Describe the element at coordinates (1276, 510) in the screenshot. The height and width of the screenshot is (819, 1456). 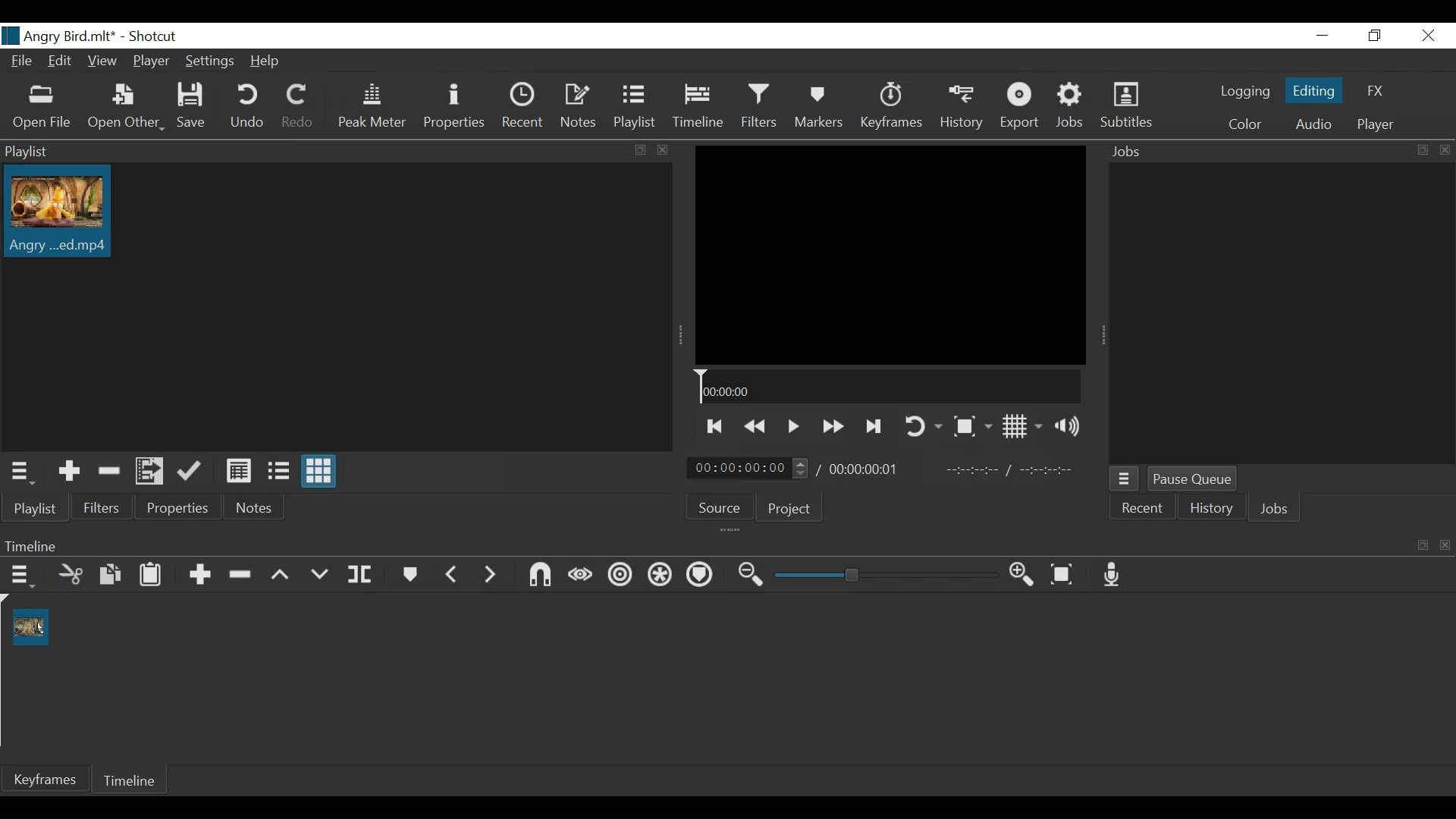
I see `Jobs` at that location.